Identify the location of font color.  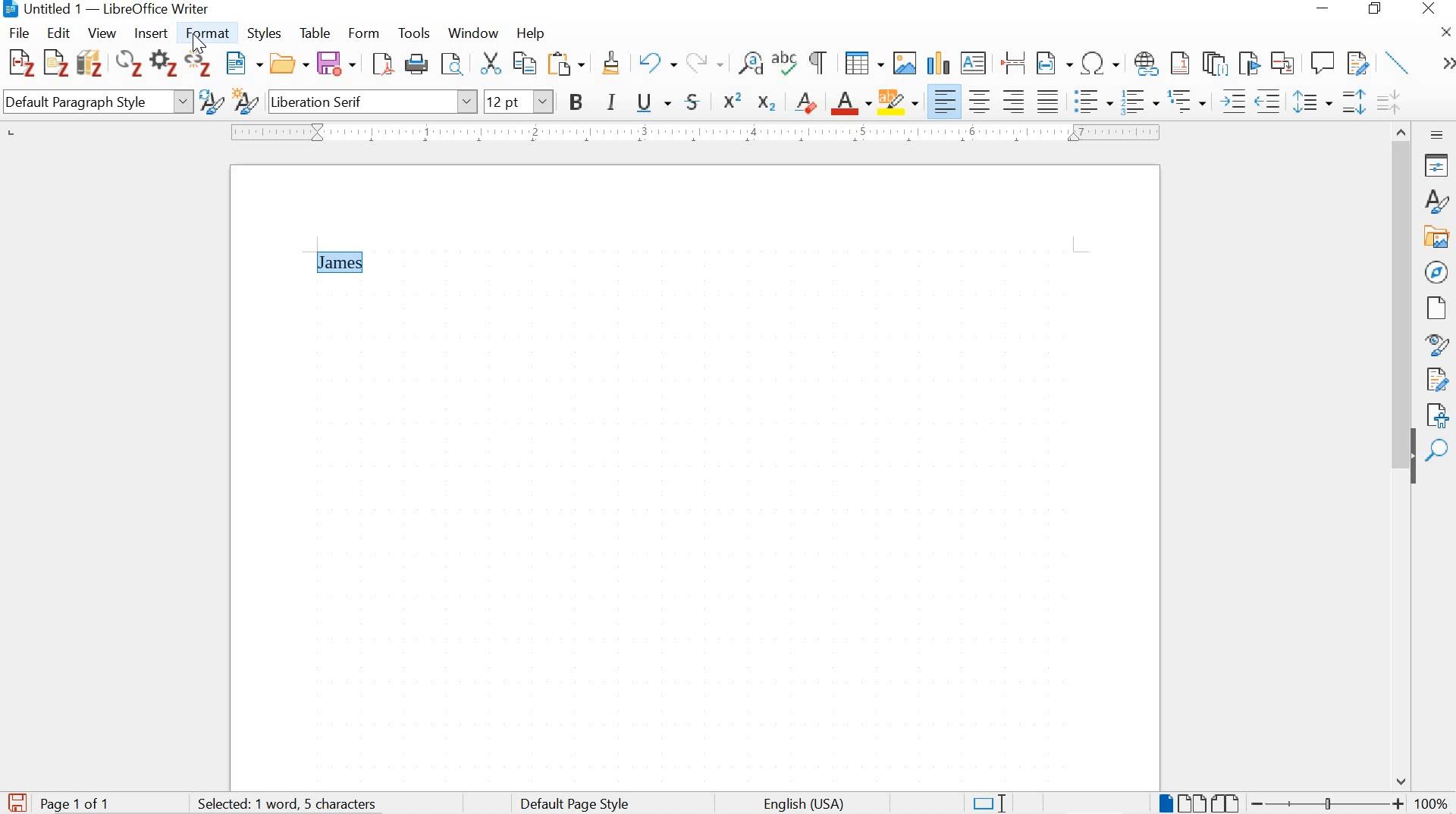
(852, 104).